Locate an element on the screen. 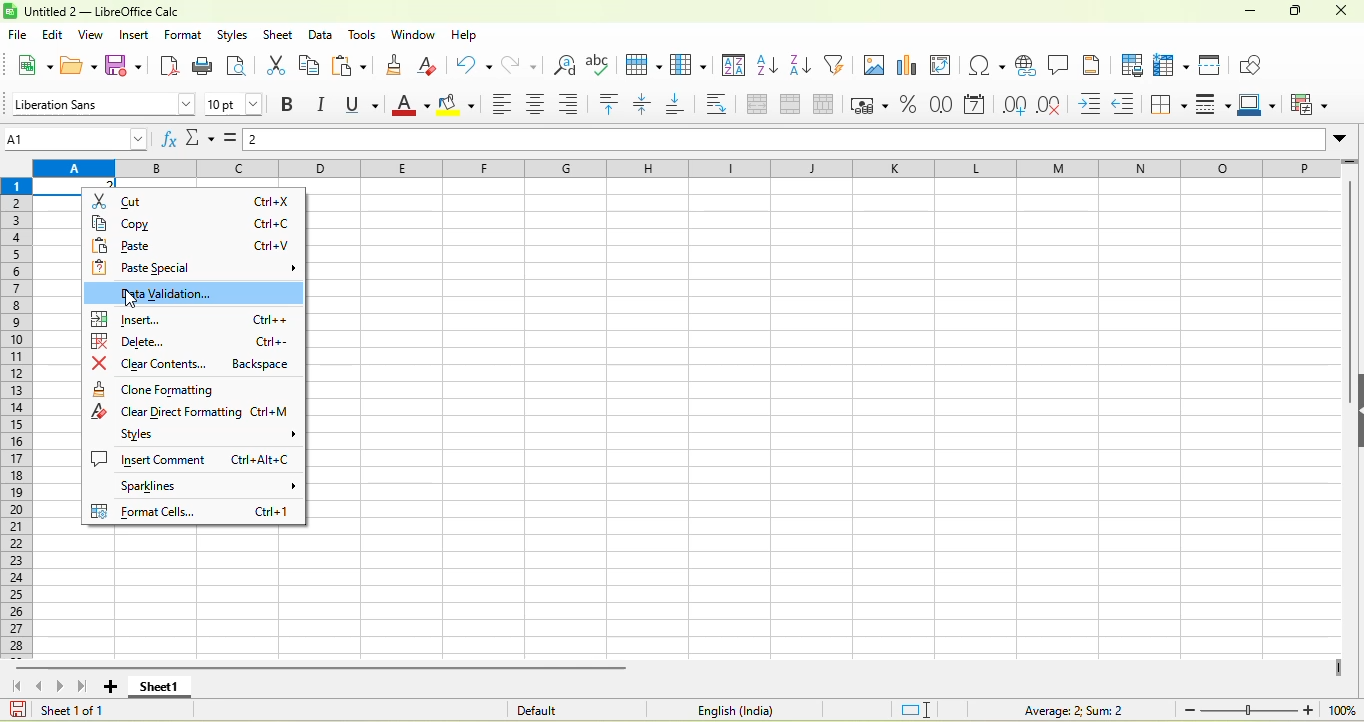  column is located at coordinates (692, 66).